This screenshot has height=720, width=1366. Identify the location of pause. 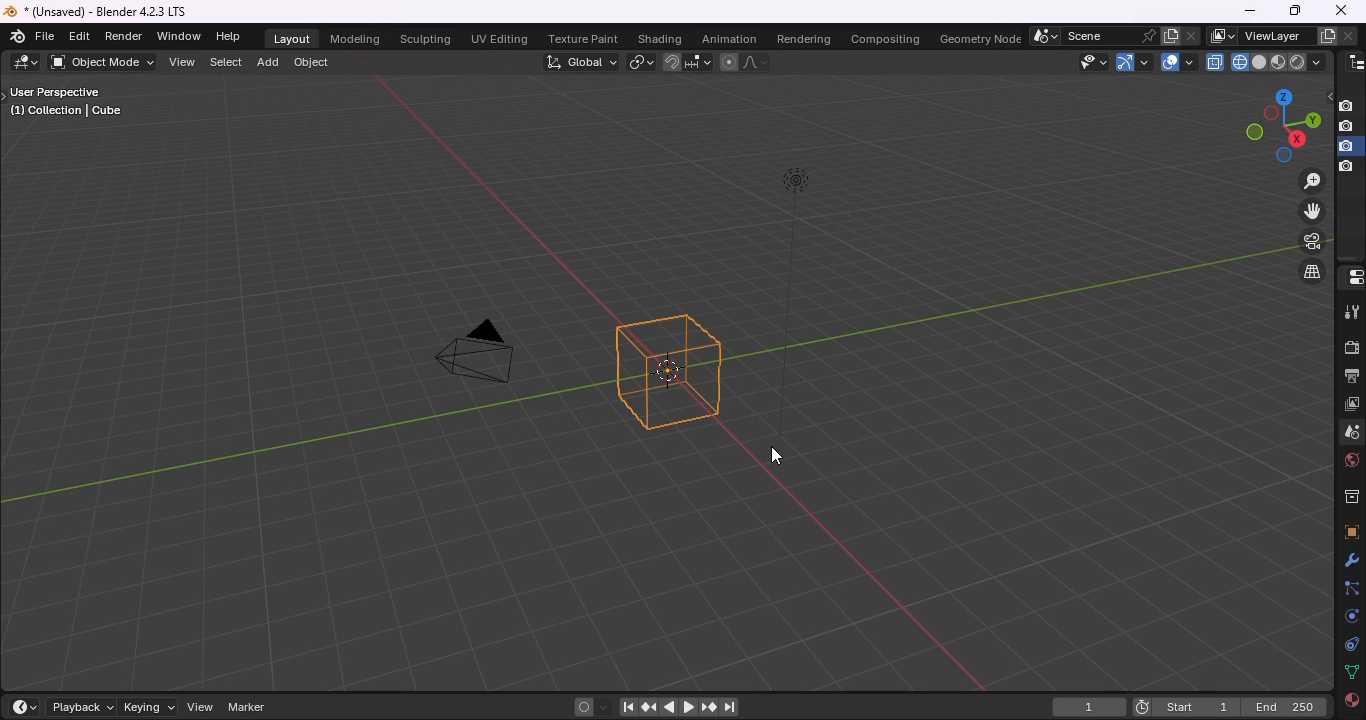
(628, 708).